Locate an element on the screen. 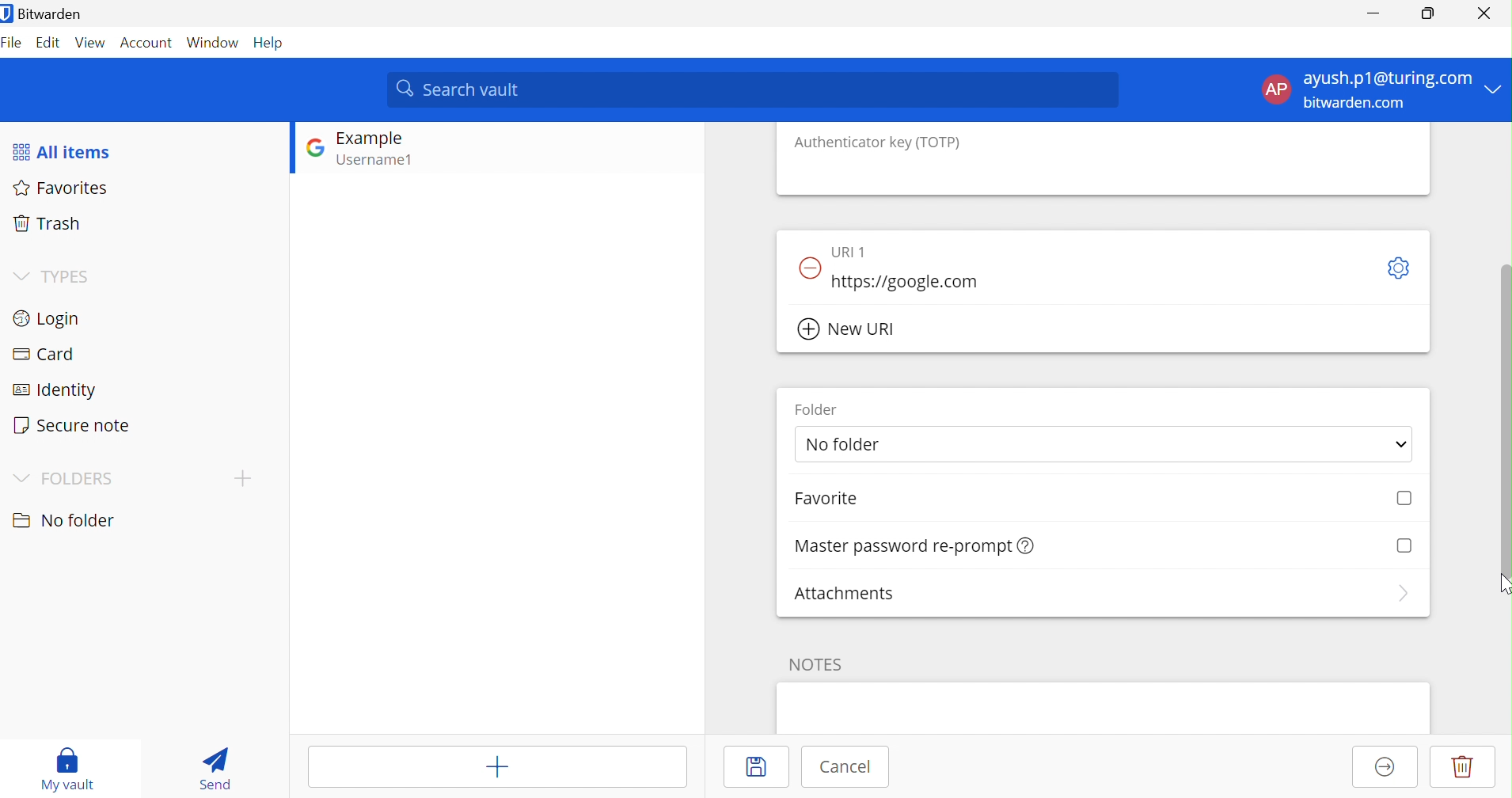 The width and height of the screenshot is (1512, 798). Remove is located at coordinates (808, 268).